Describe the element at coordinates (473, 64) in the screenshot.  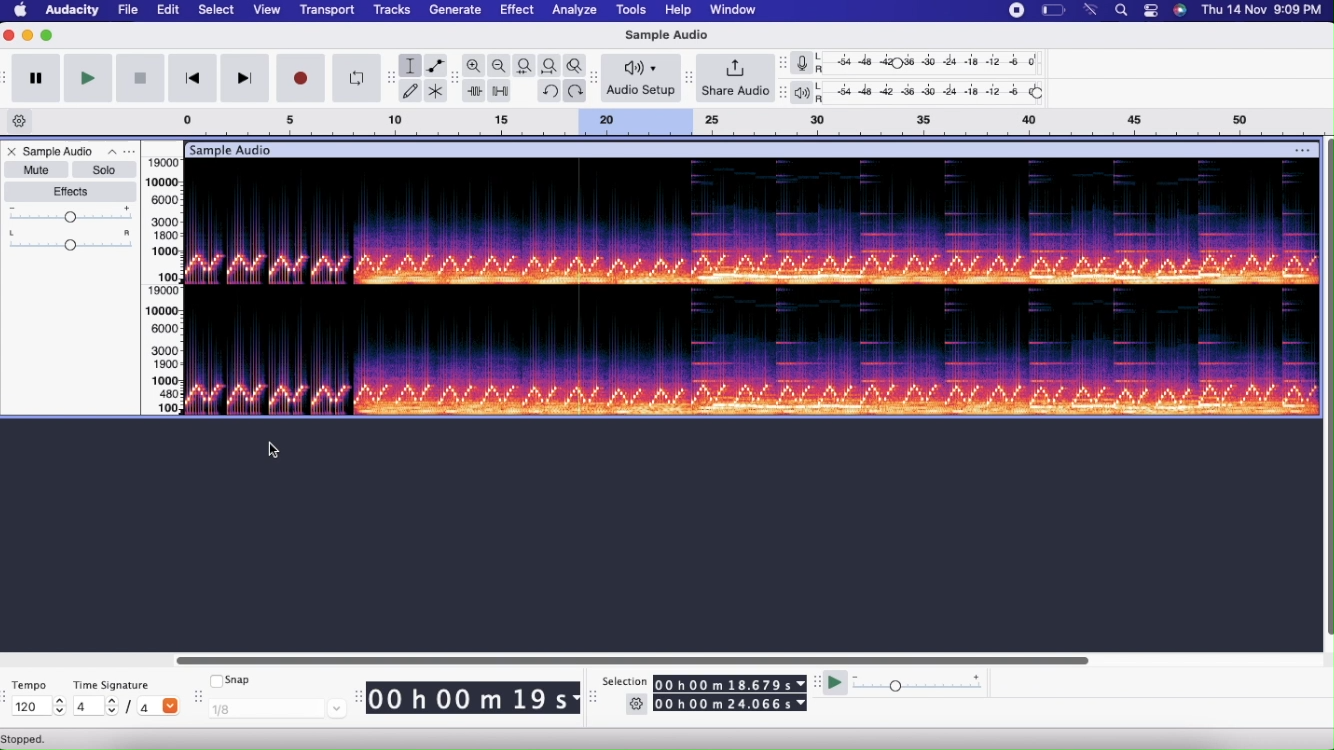
I see `Zoom In` at that location.